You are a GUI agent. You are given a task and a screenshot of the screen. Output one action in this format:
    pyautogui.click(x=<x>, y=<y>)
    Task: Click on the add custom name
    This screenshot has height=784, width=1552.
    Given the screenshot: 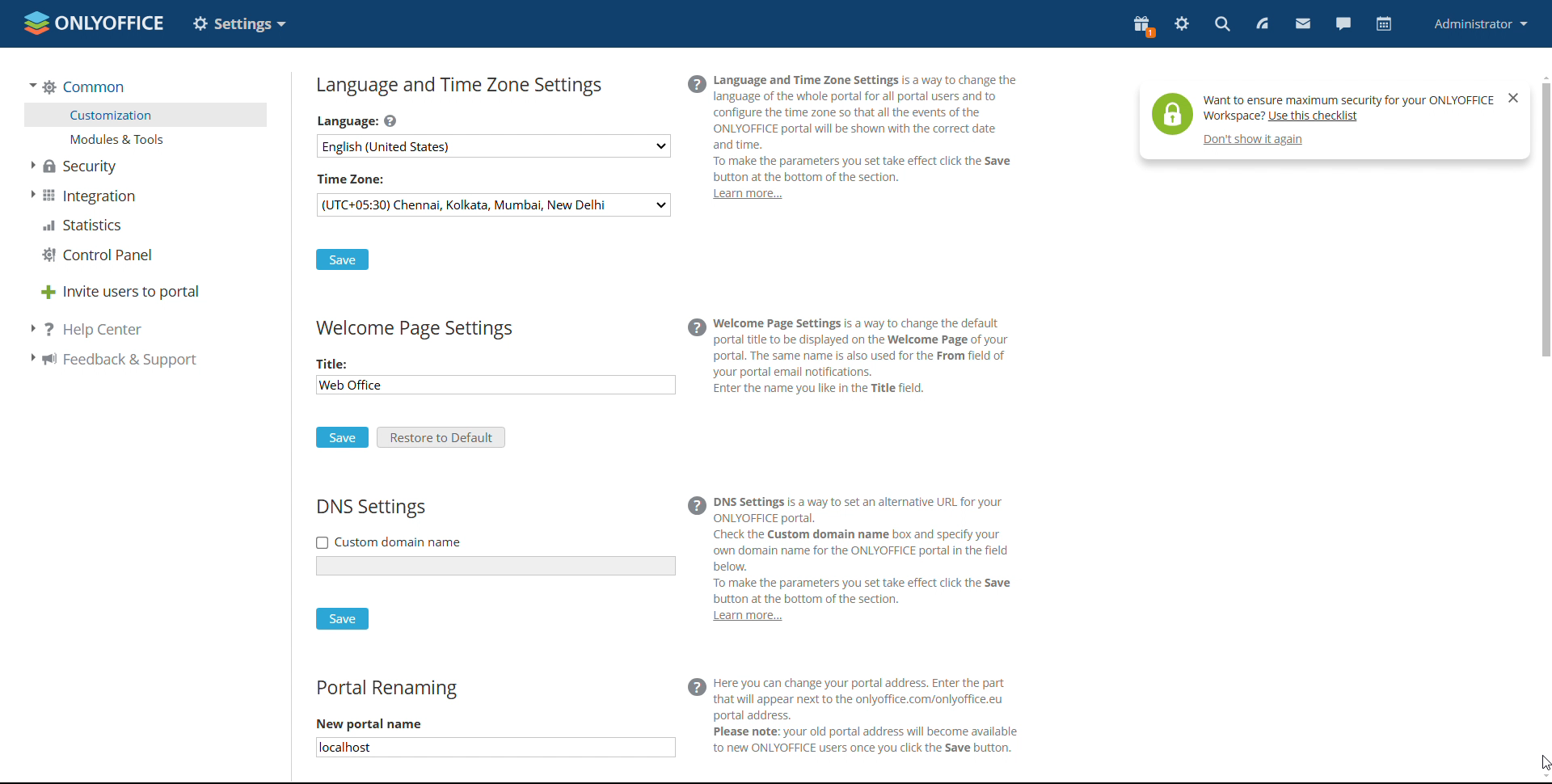 What is the action you would take?
    pyautogui.click(x=497, y=566)
    